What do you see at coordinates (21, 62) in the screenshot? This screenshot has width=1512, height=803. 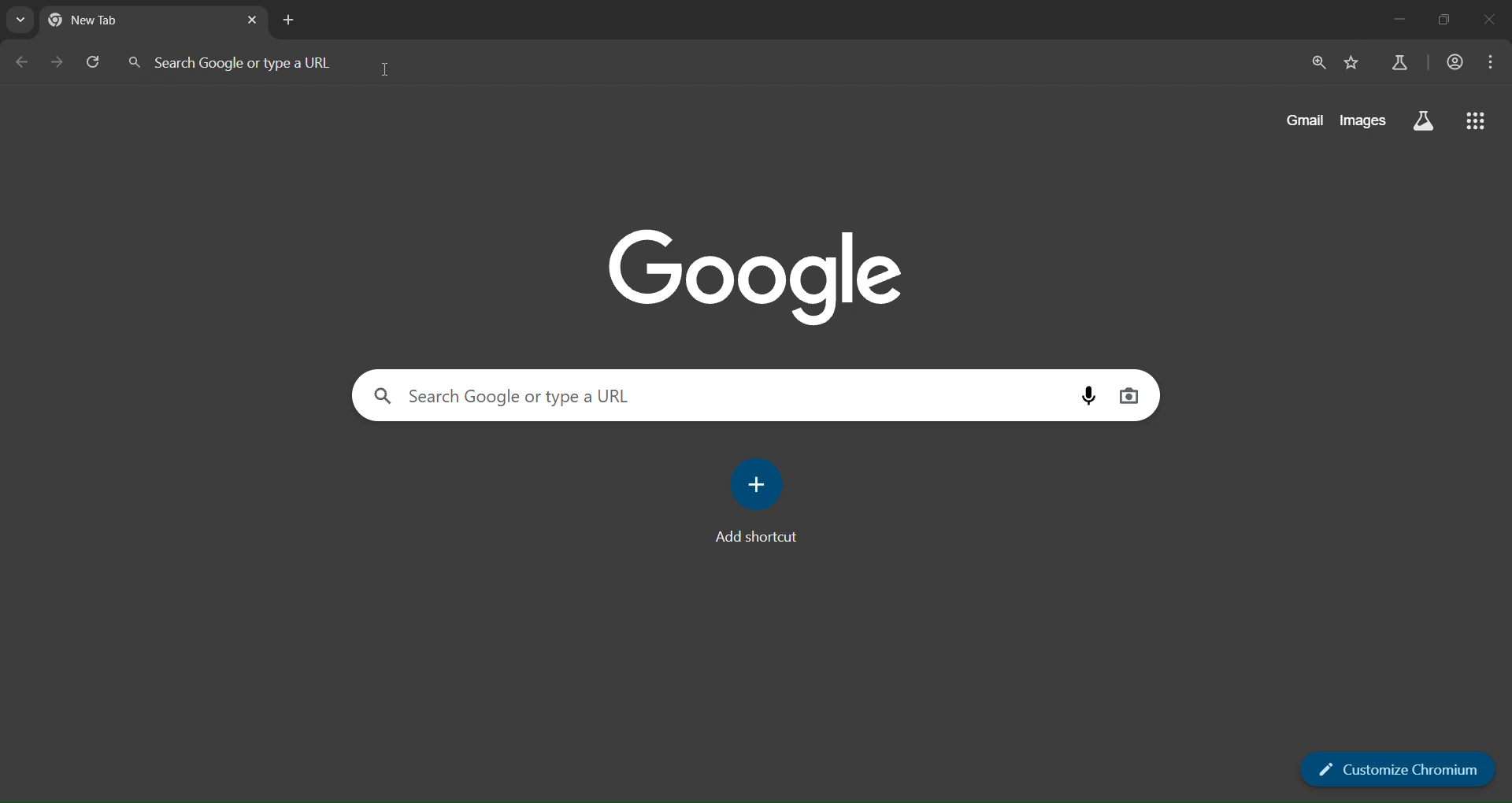 I see `go back one page` at bounding box center [21, 62].